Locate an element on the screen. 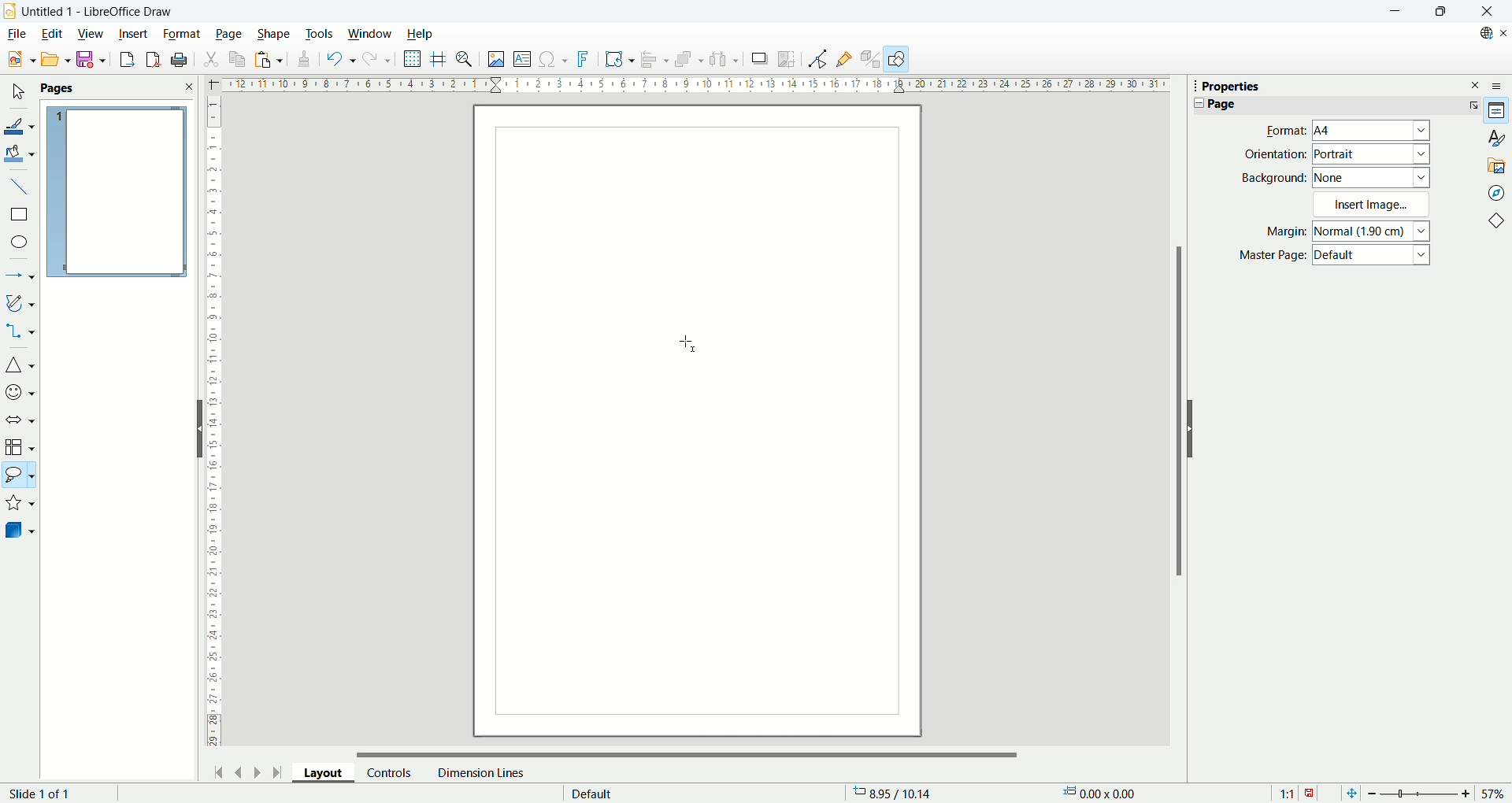  More Options is located at coordinates (1470, 105).